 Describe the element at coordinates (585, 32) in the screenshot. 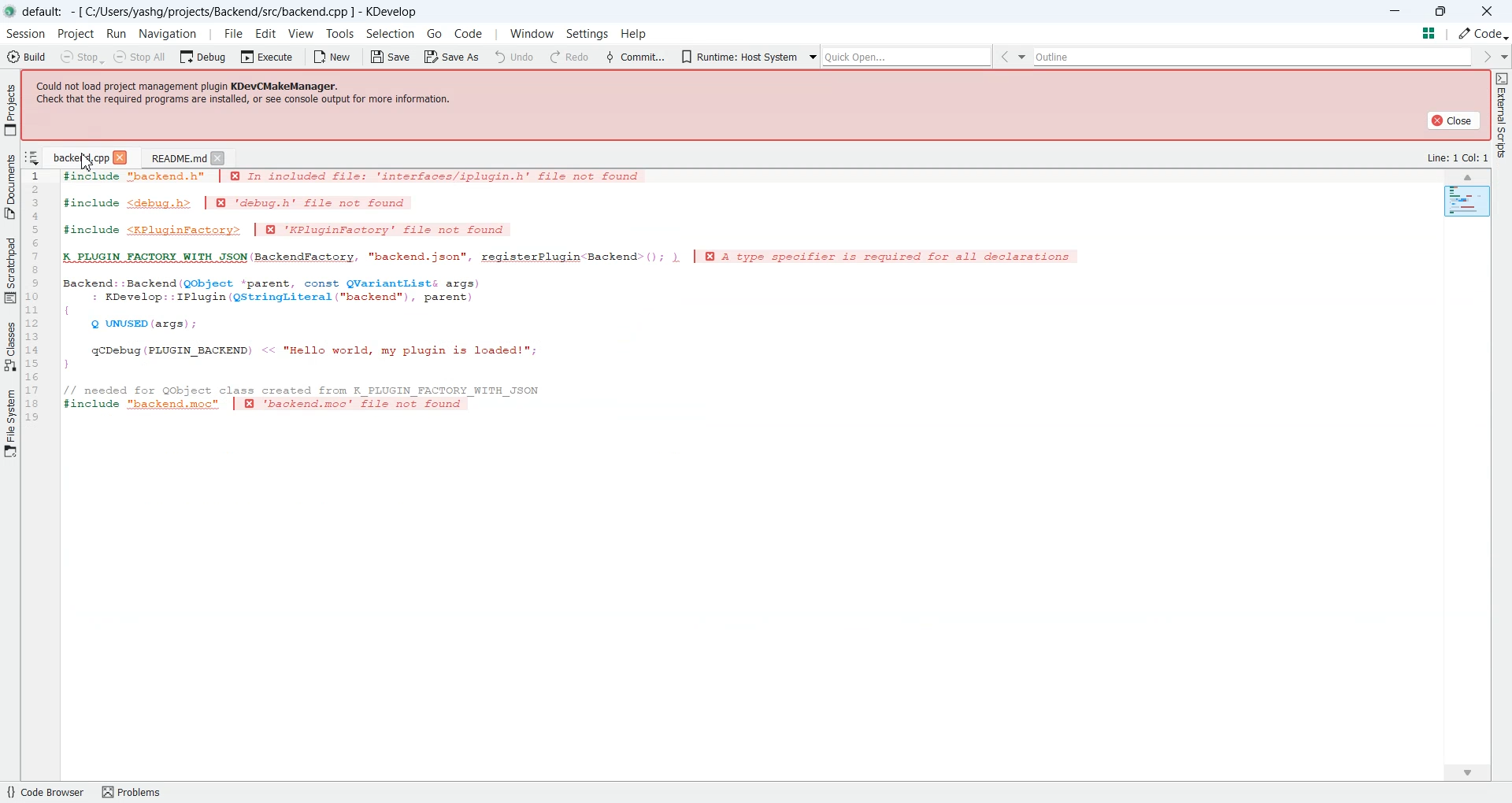

I see `Settings` at that location.